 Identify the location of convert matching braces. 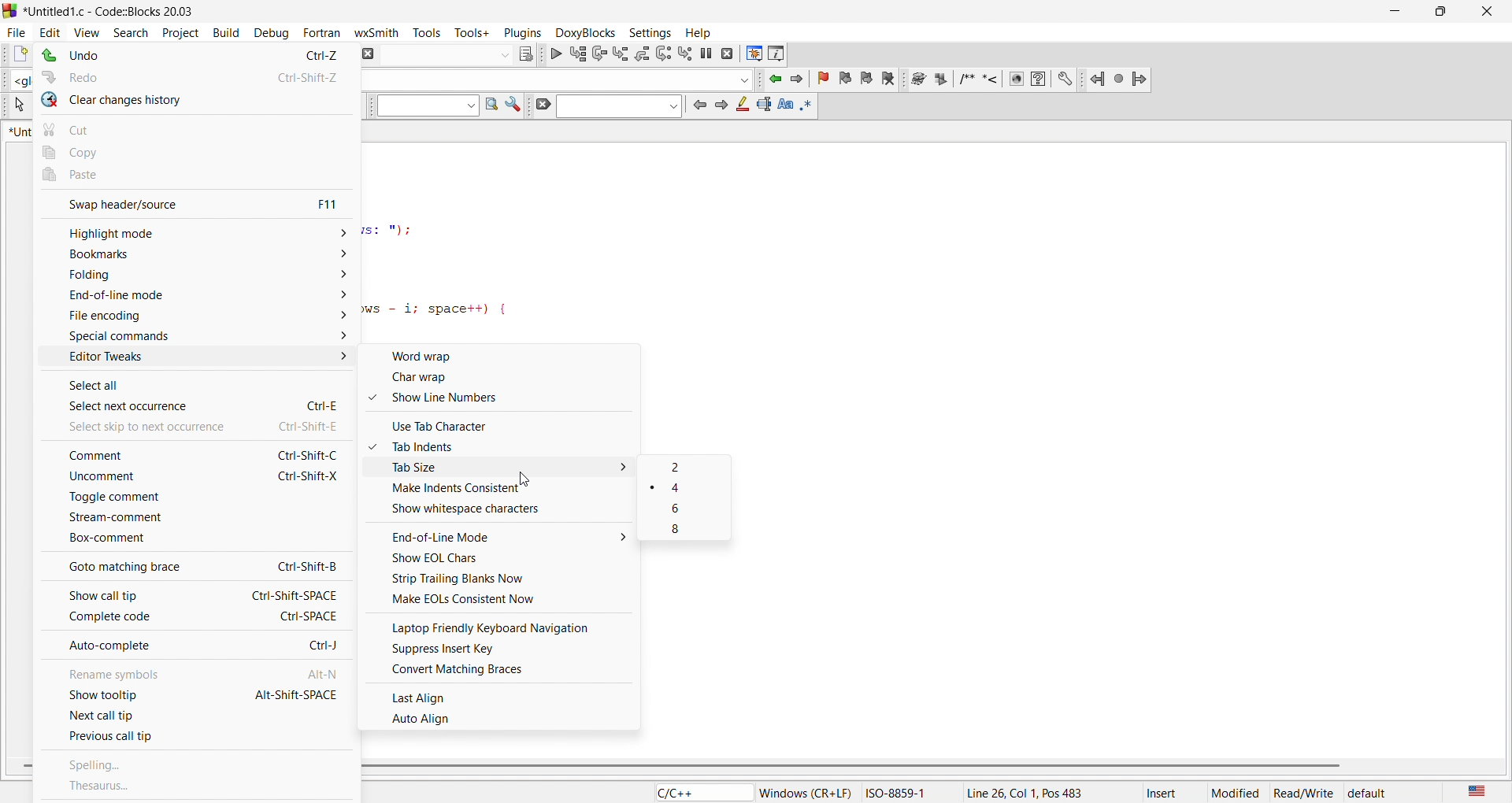
(505, 672).